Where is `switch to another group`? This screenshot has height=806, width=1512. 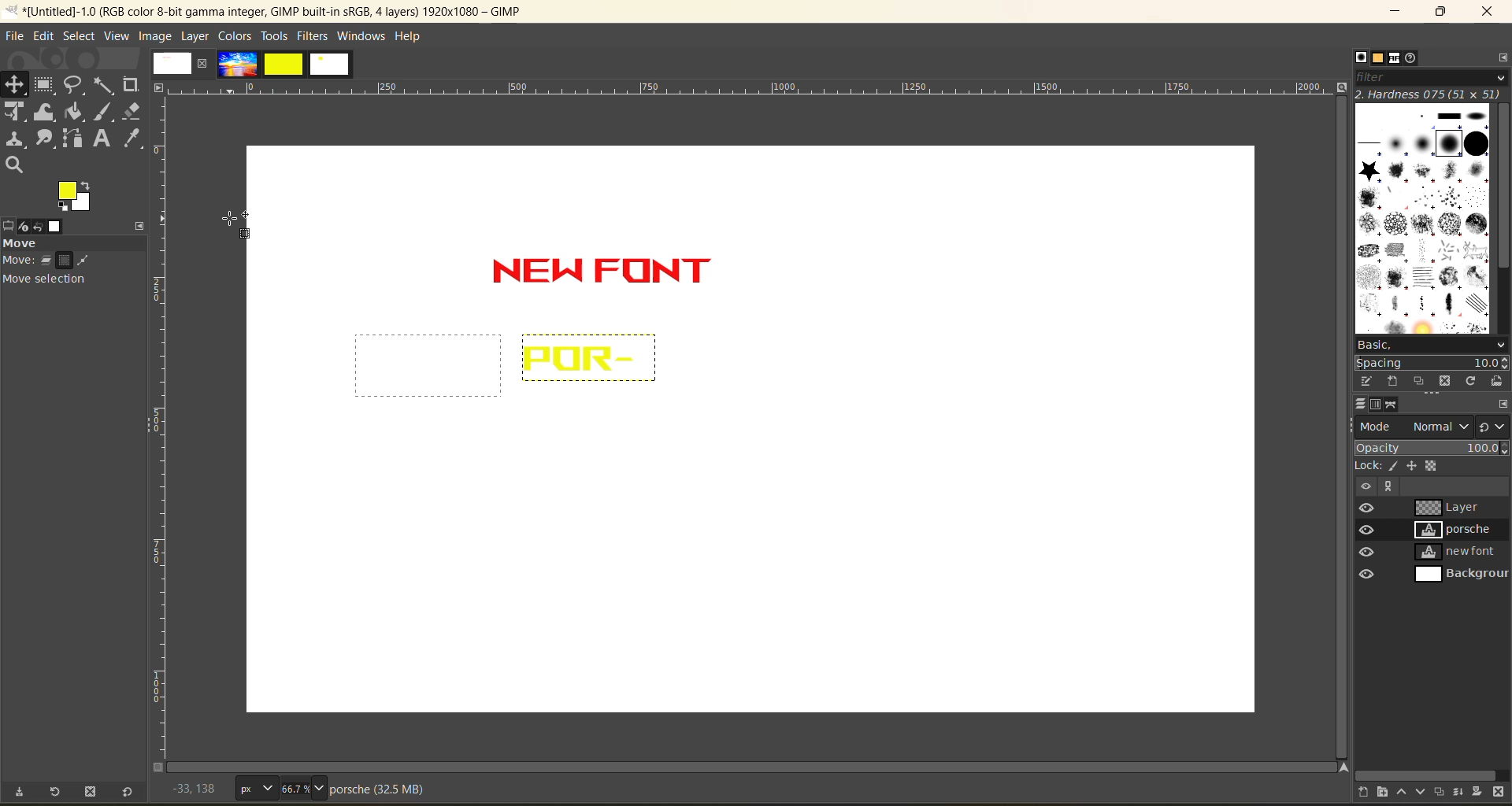 switch to another group is located at coordinates (1492, 428).